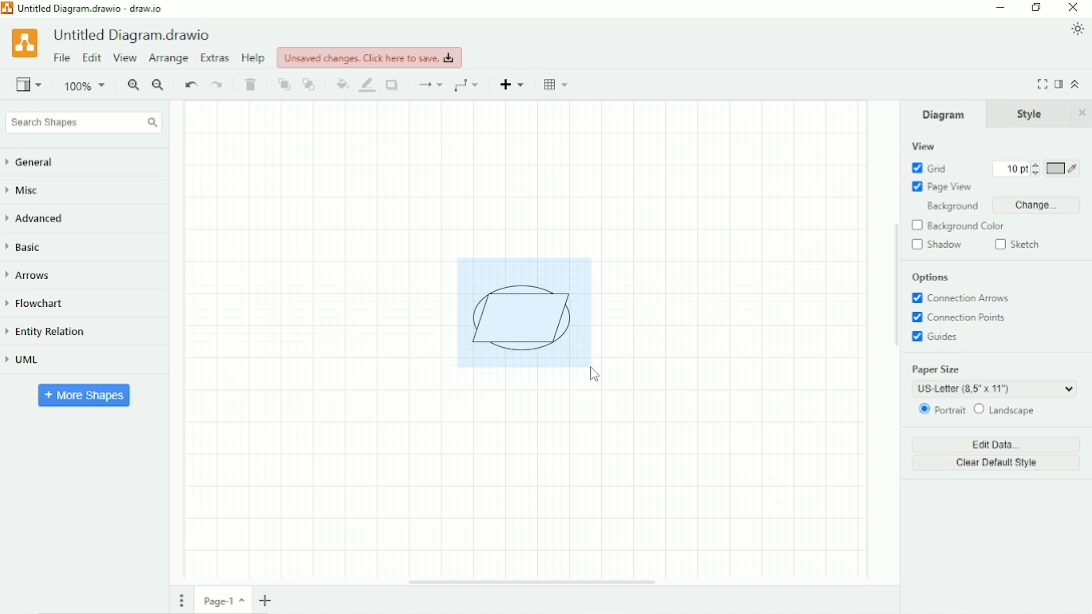  I want to click on Clear default style, so click(997, 464).